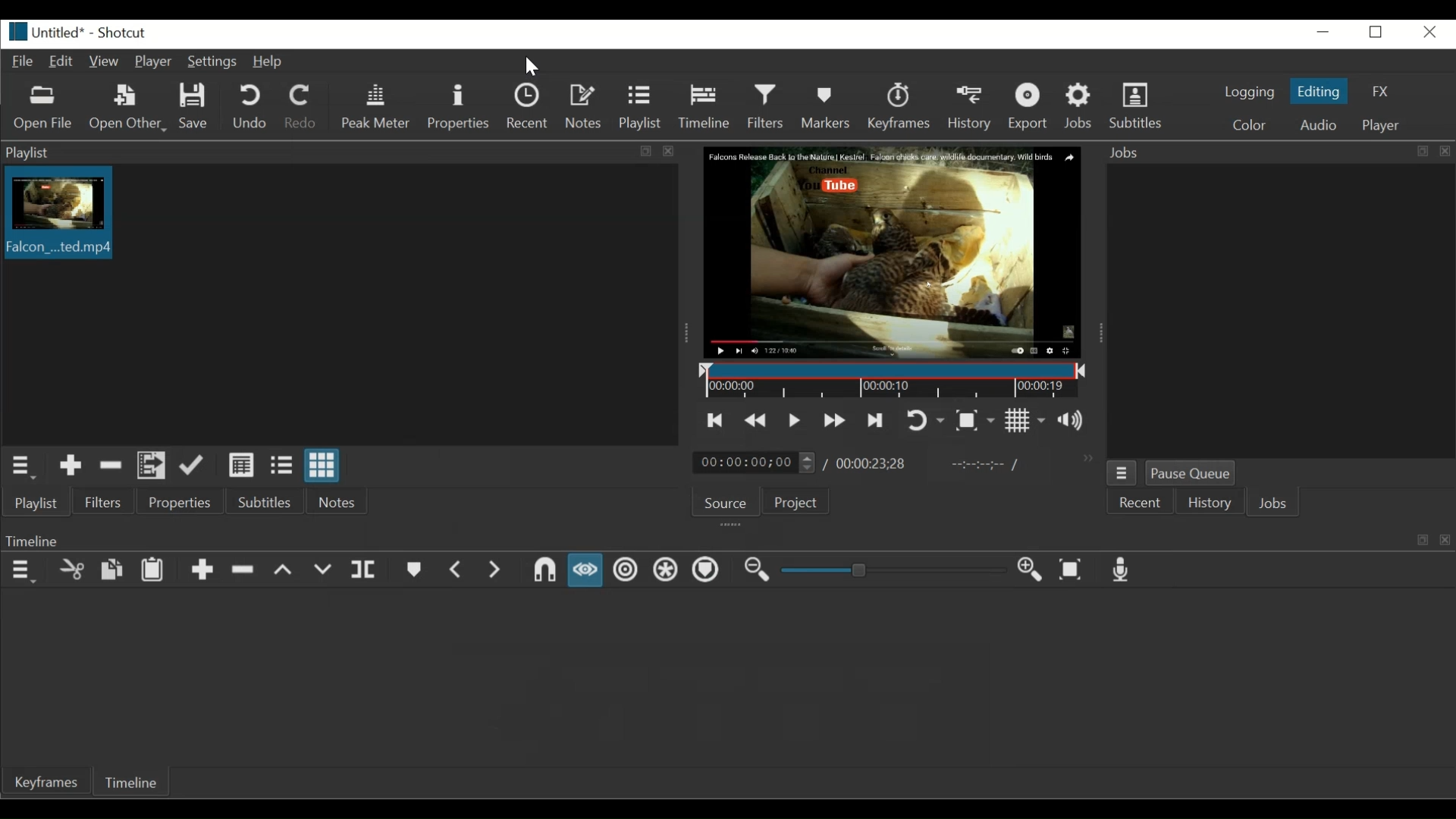  What do you see at coordinates (1278, 152) in the screenshot?
I see `Jobs` at bounding box center [1278, 152].